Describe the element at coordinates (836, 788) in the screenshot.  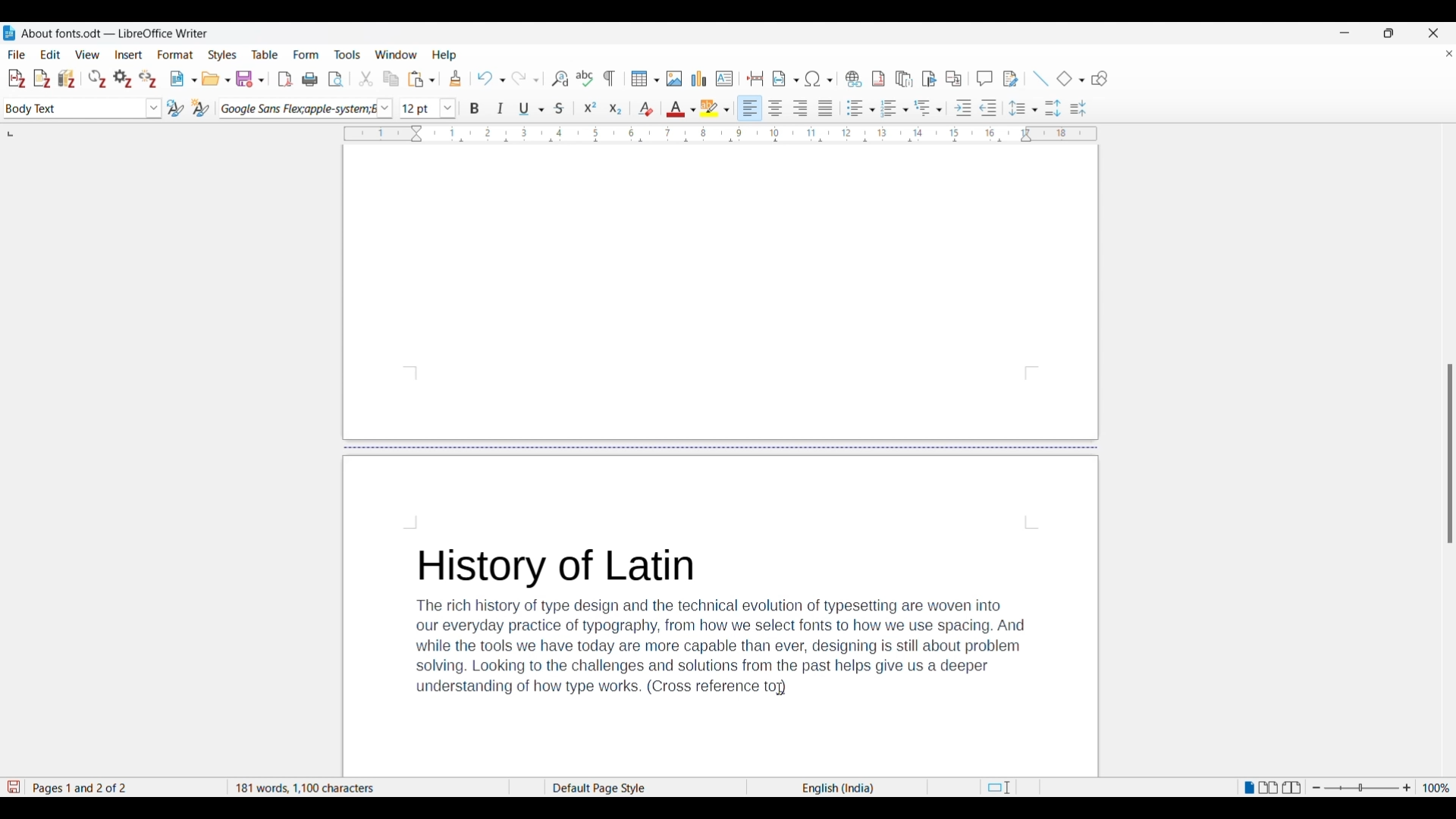
I see `Current language` at that location.